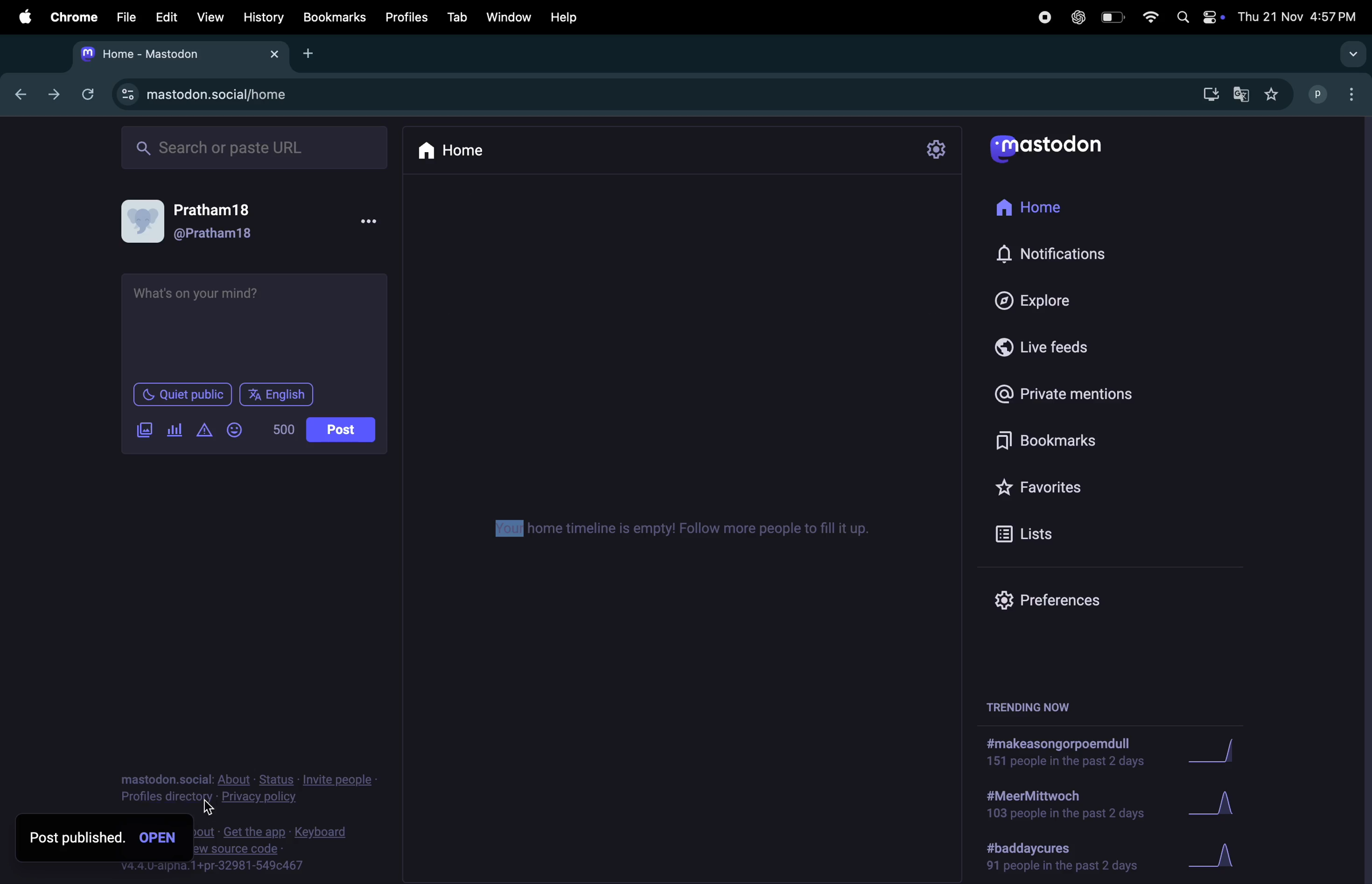 The image size is (1372, 884). What do you see at coordinates (163, 17) in the screenshot?
I see `edit` at bounding box center [163, 17].